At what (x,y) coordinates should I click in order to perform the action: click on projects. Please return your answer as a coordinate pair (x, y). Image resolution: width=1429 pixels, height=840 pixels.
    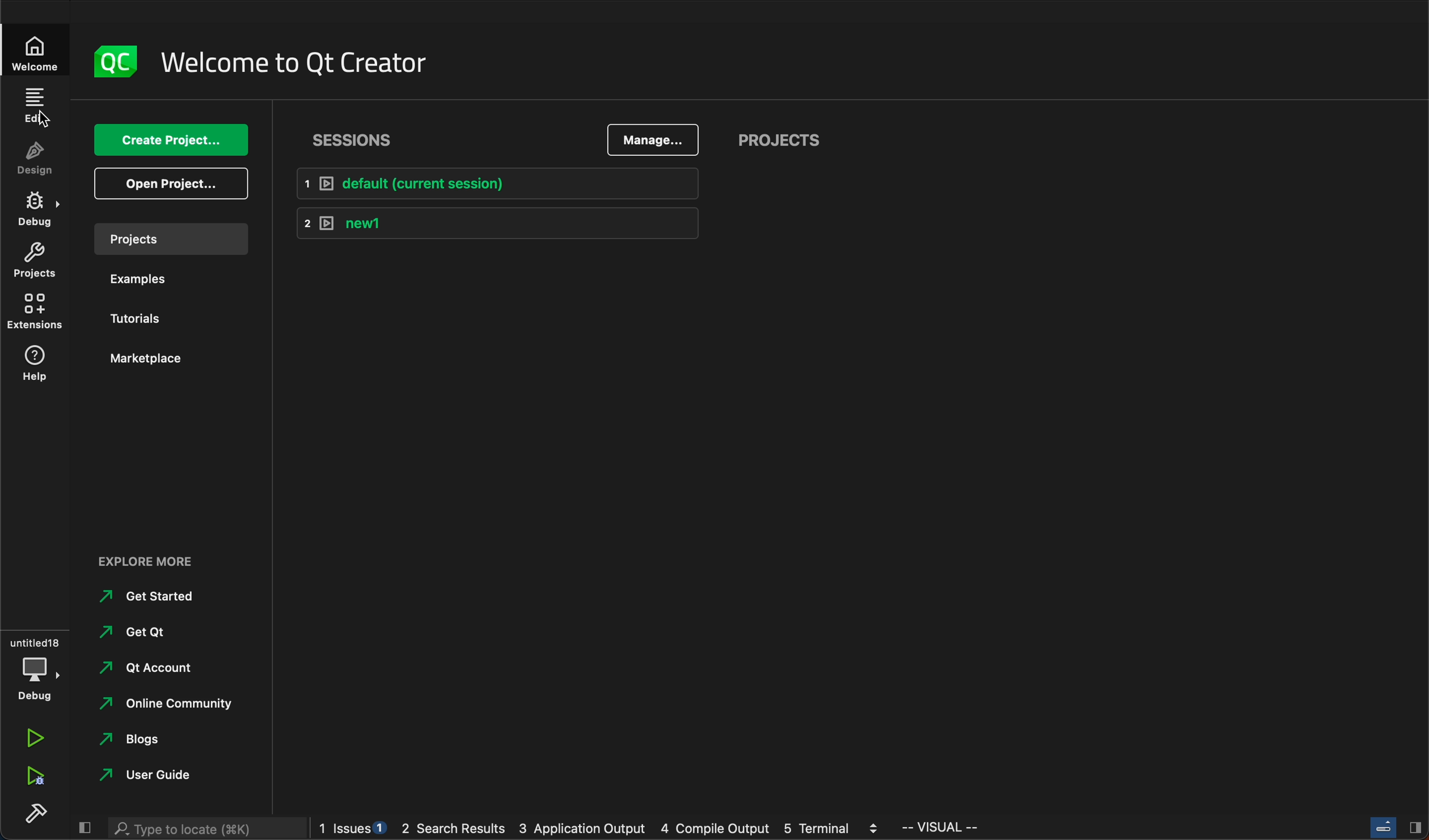
    Looking at the image, I should click on (796, 142).